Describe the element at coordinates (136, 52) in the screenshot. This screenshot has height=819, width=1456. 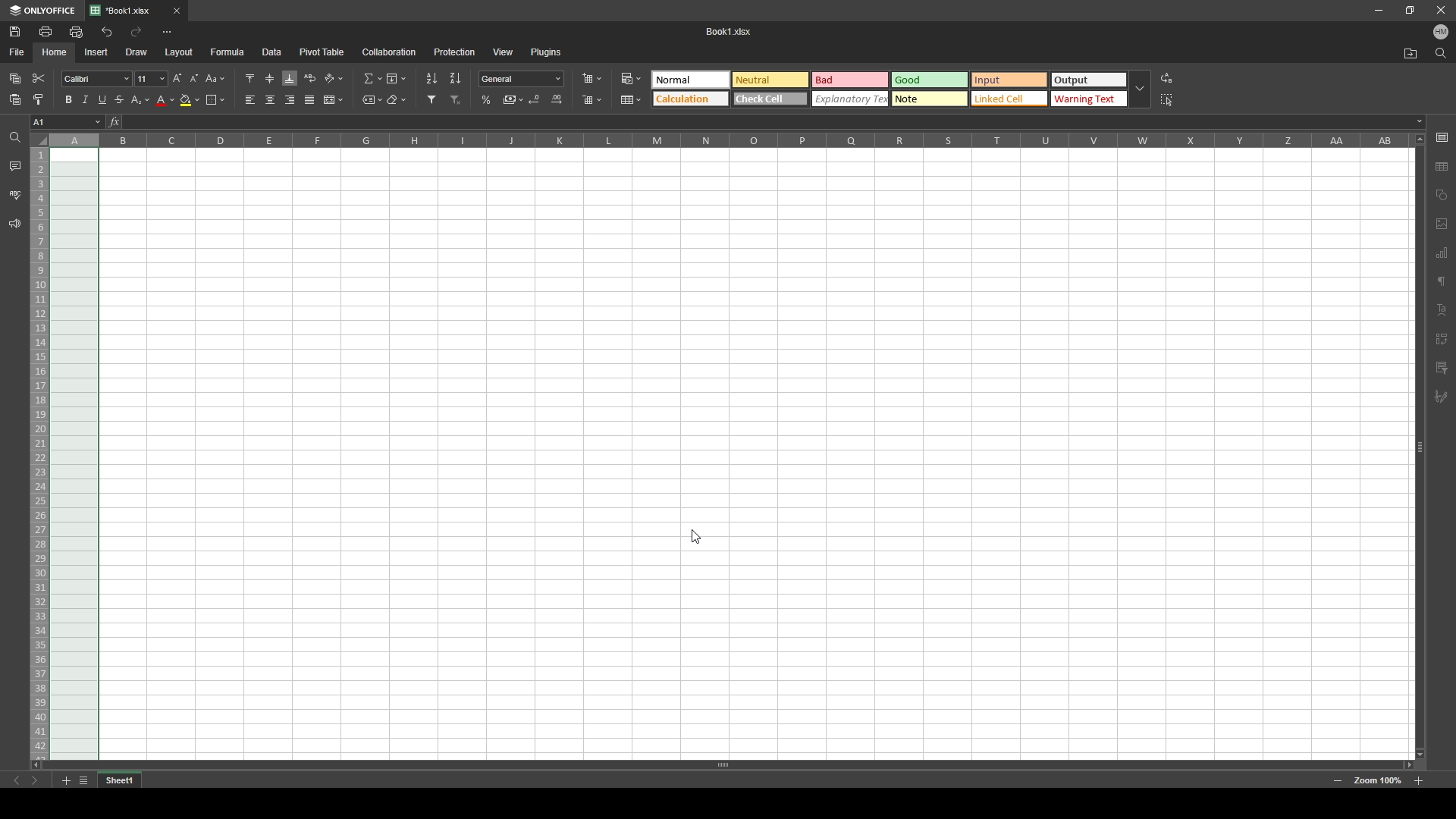
I see `draw` at that location.